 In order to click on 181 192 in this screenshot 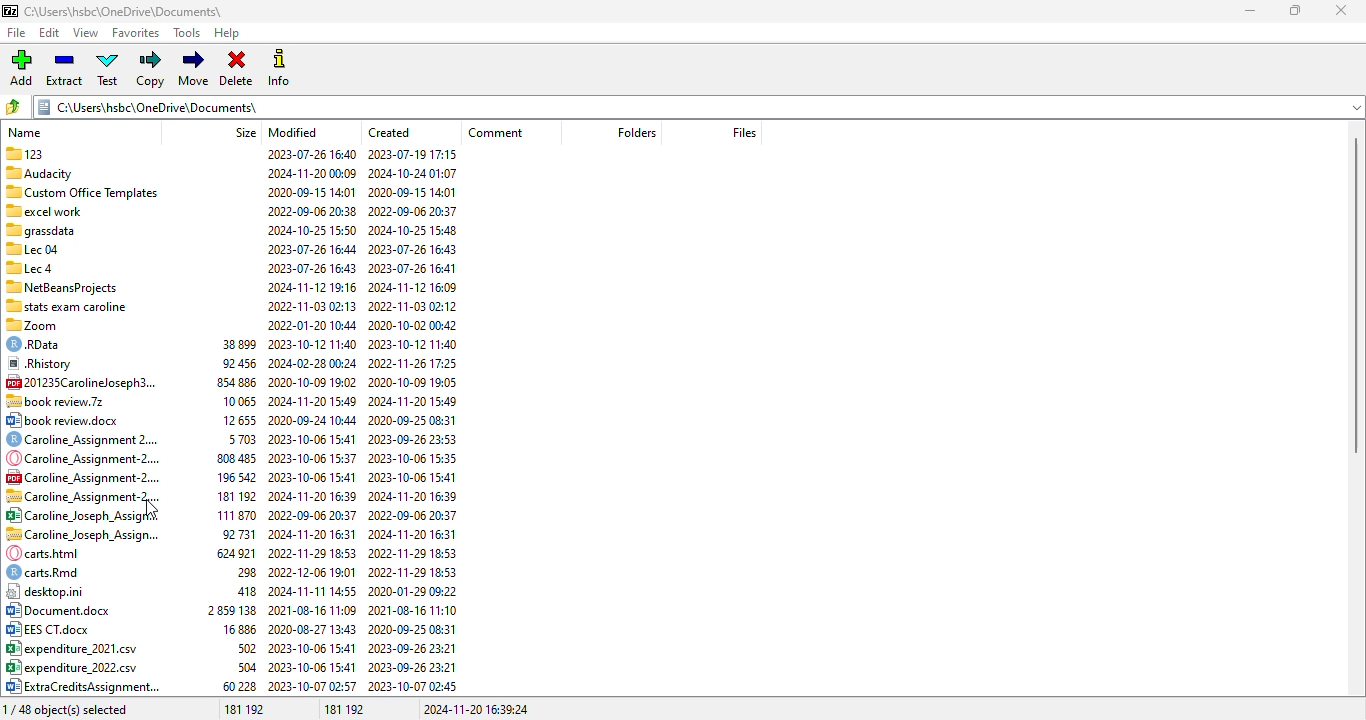, I will do `click(244, 709)`.